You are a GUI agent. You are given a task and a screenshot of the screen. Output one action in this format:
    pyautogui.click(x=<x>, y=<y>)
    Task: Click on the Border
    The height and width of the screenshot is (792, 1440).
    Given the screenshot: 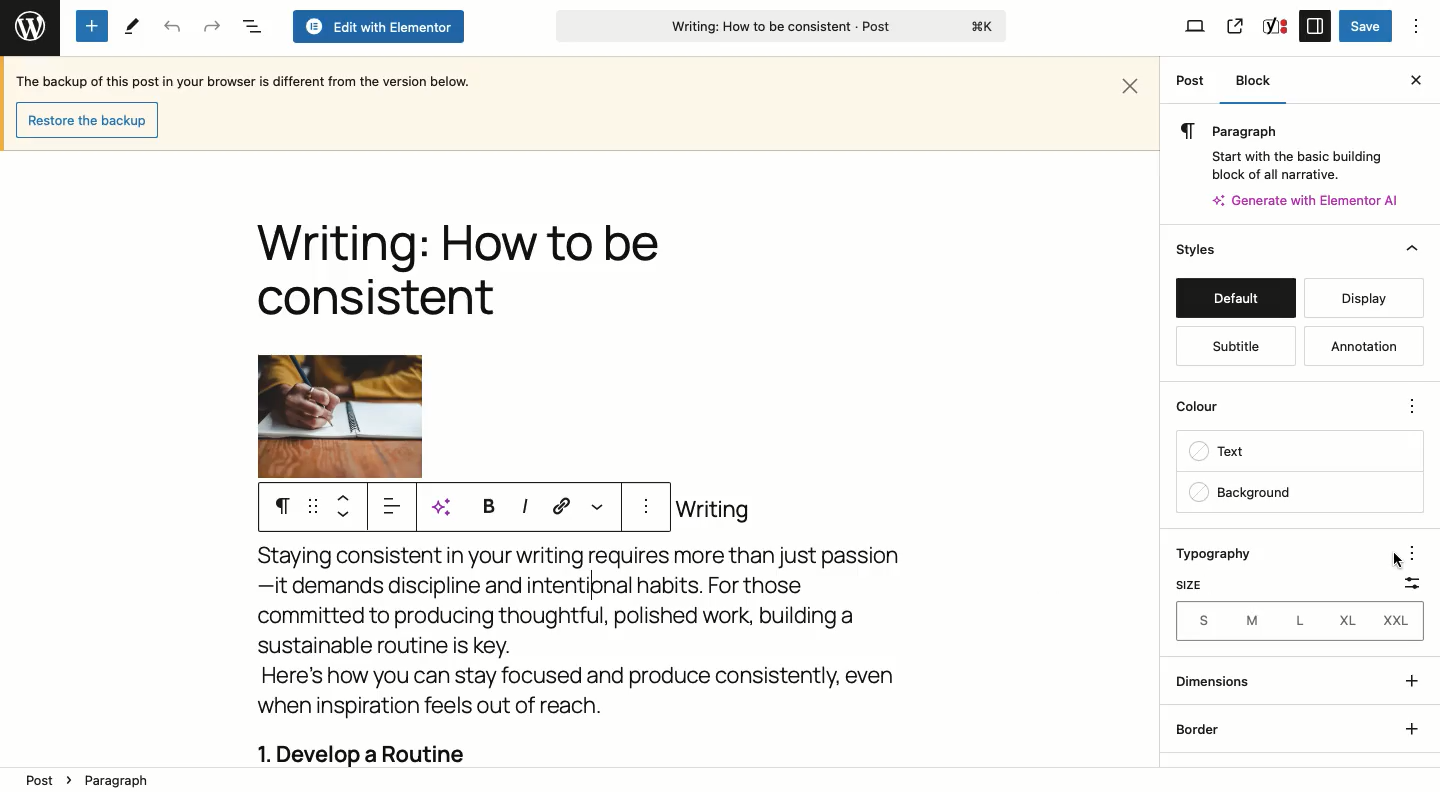 What is the action you would take?
    pyautogui.click(x=1206, y=730)
    